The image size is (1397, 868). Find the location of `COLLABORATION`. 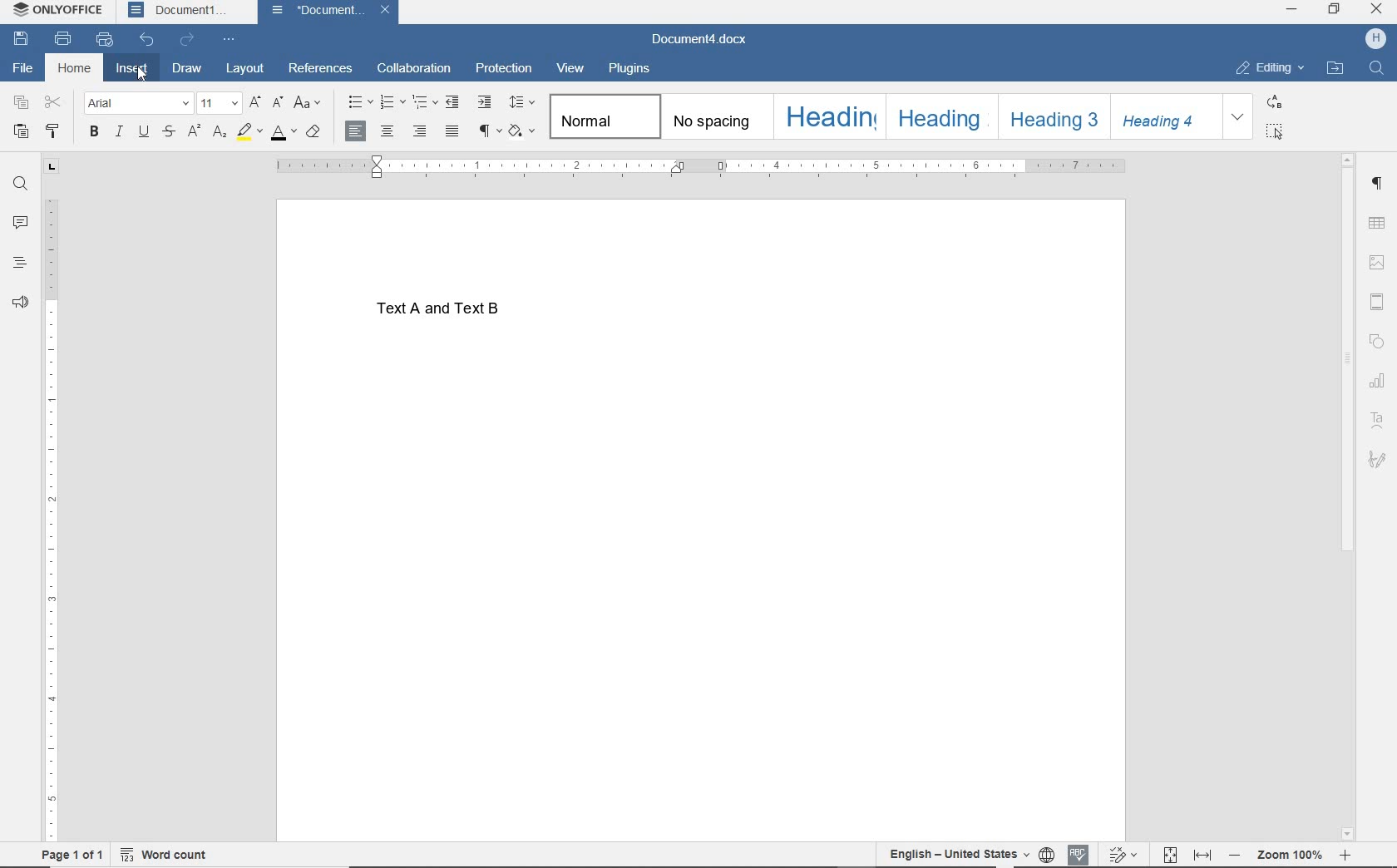

COLLABORATION is located at coordinates (416, 67).